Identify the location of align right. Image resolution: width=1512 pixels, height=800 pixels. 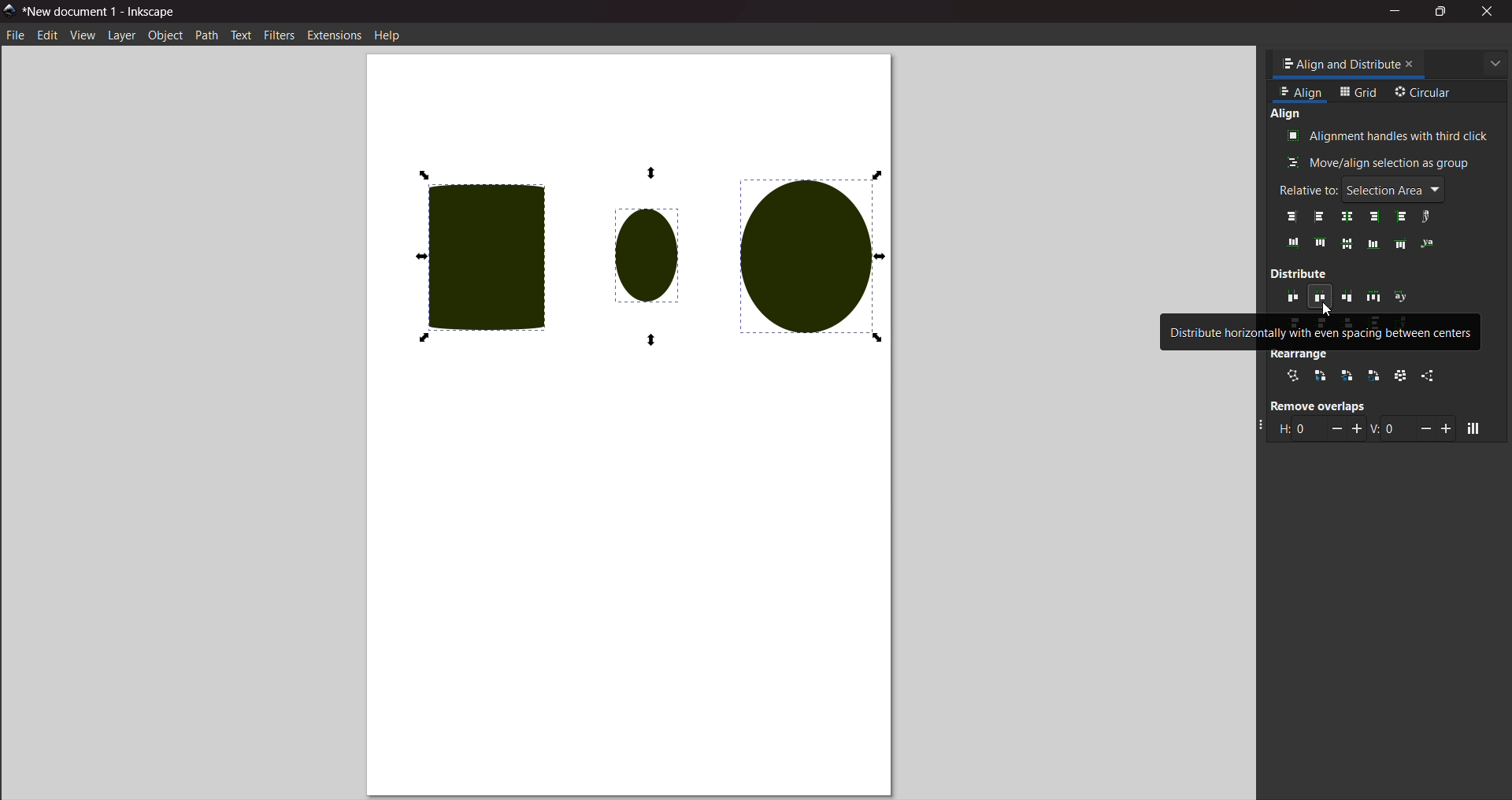
(1291, 217).